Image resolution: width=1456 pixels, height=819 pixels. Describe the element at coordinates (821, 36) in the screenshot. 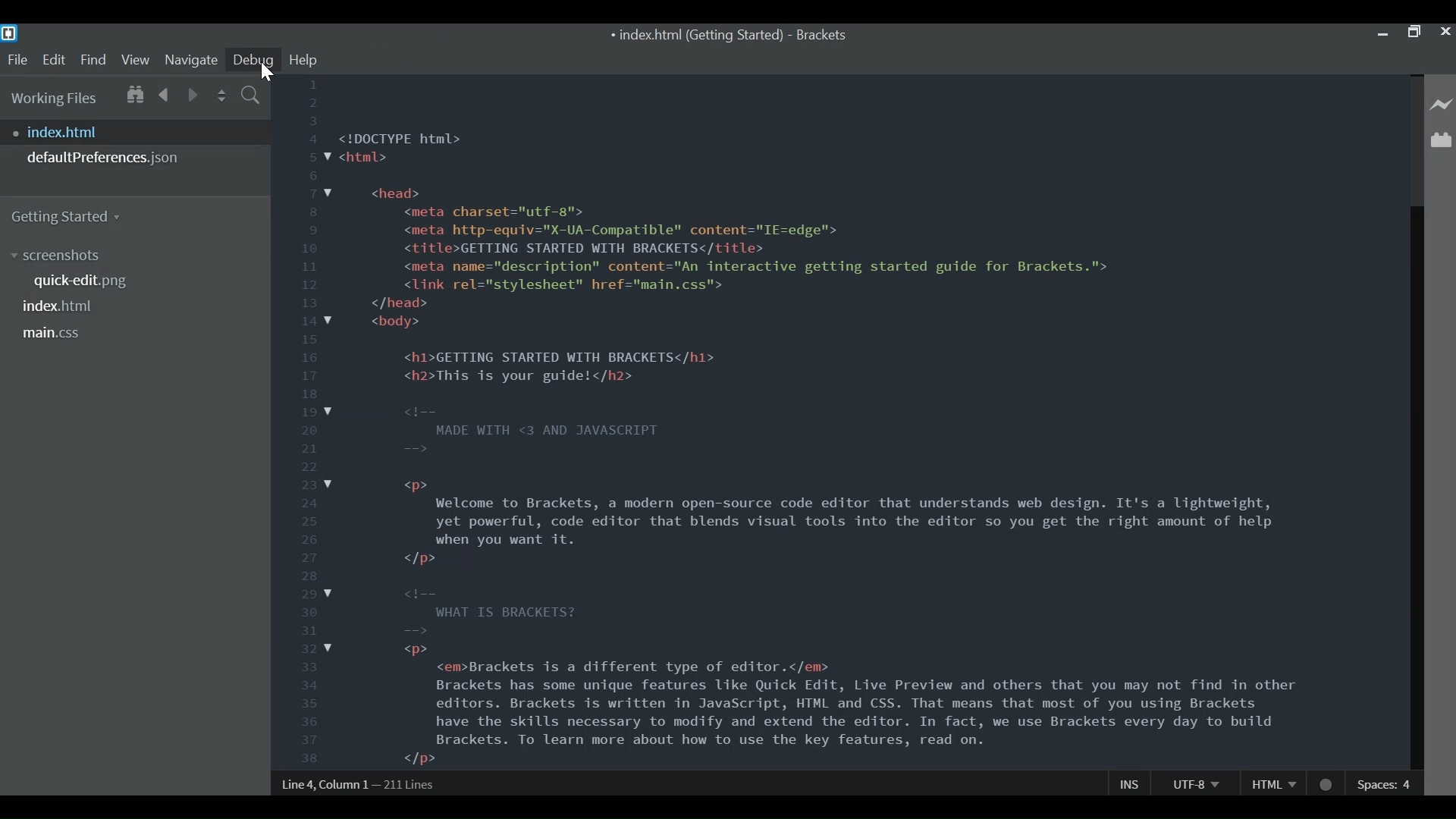

I see `Brackets` at that location.